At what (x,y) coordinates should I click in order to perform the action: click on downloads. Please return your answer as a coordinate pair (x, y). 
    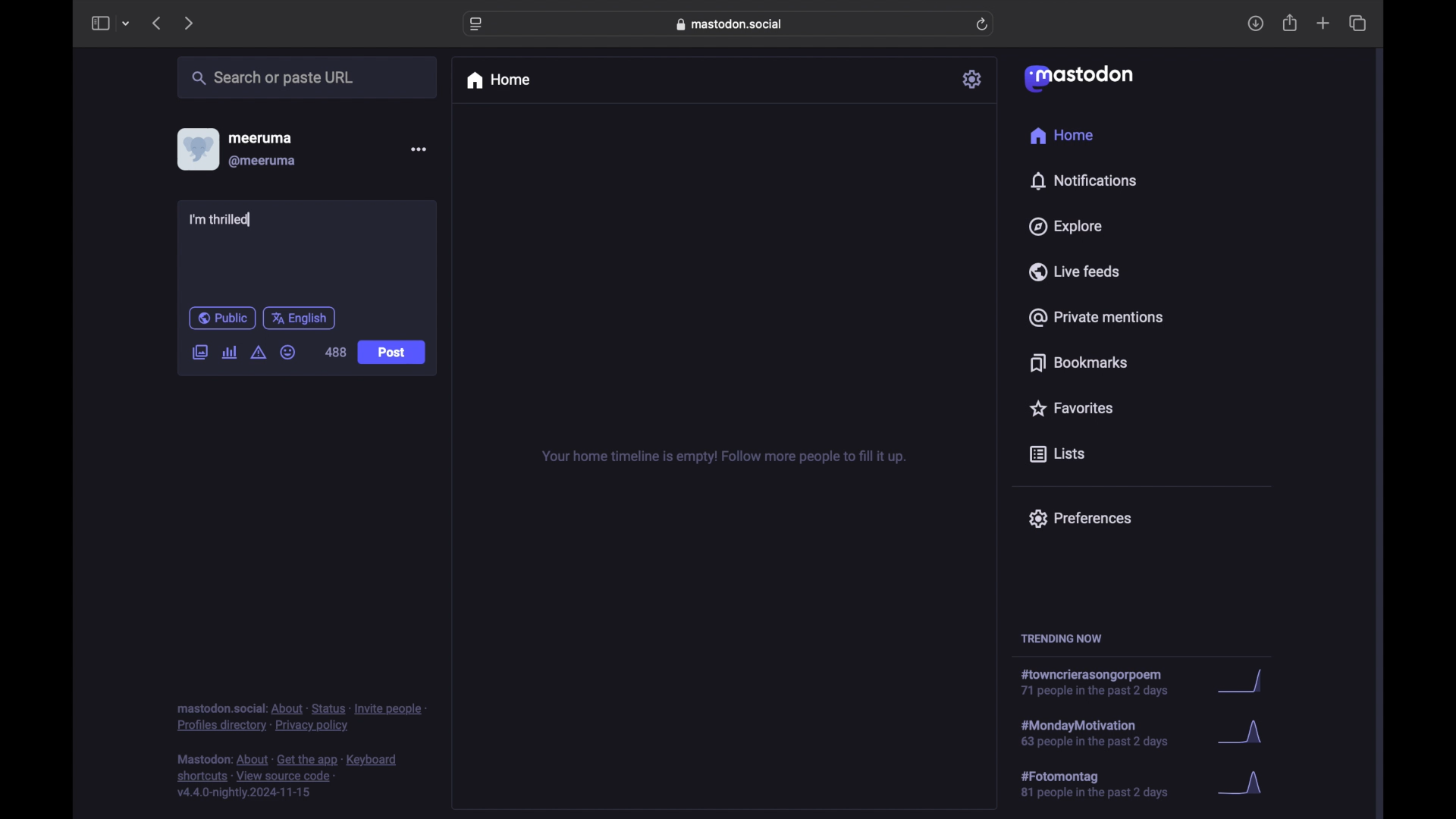
    Looking at the image, I should click on (1255, 24).